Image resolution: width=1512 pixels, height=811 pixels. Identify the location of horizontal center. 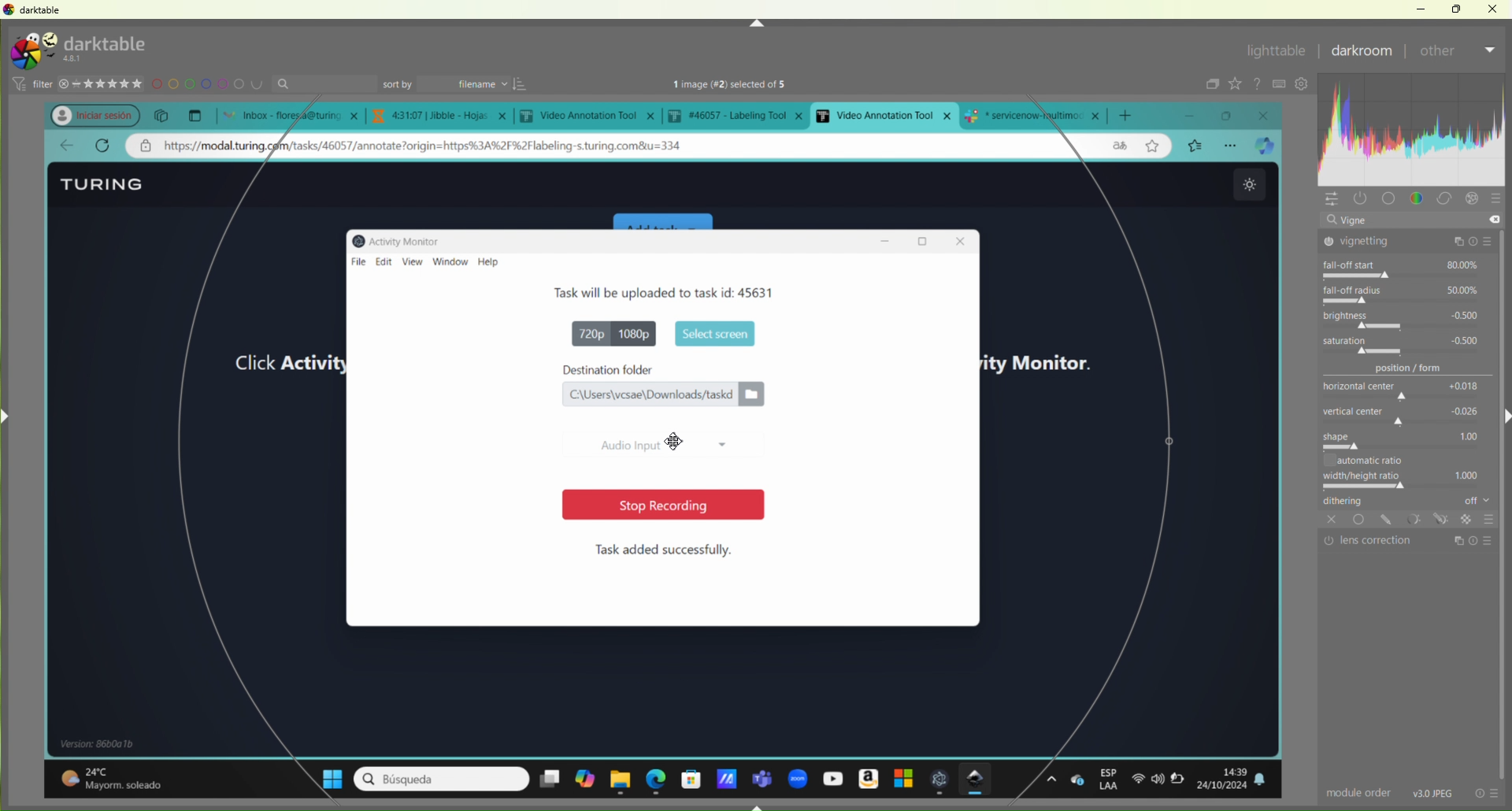
(1409, 386).